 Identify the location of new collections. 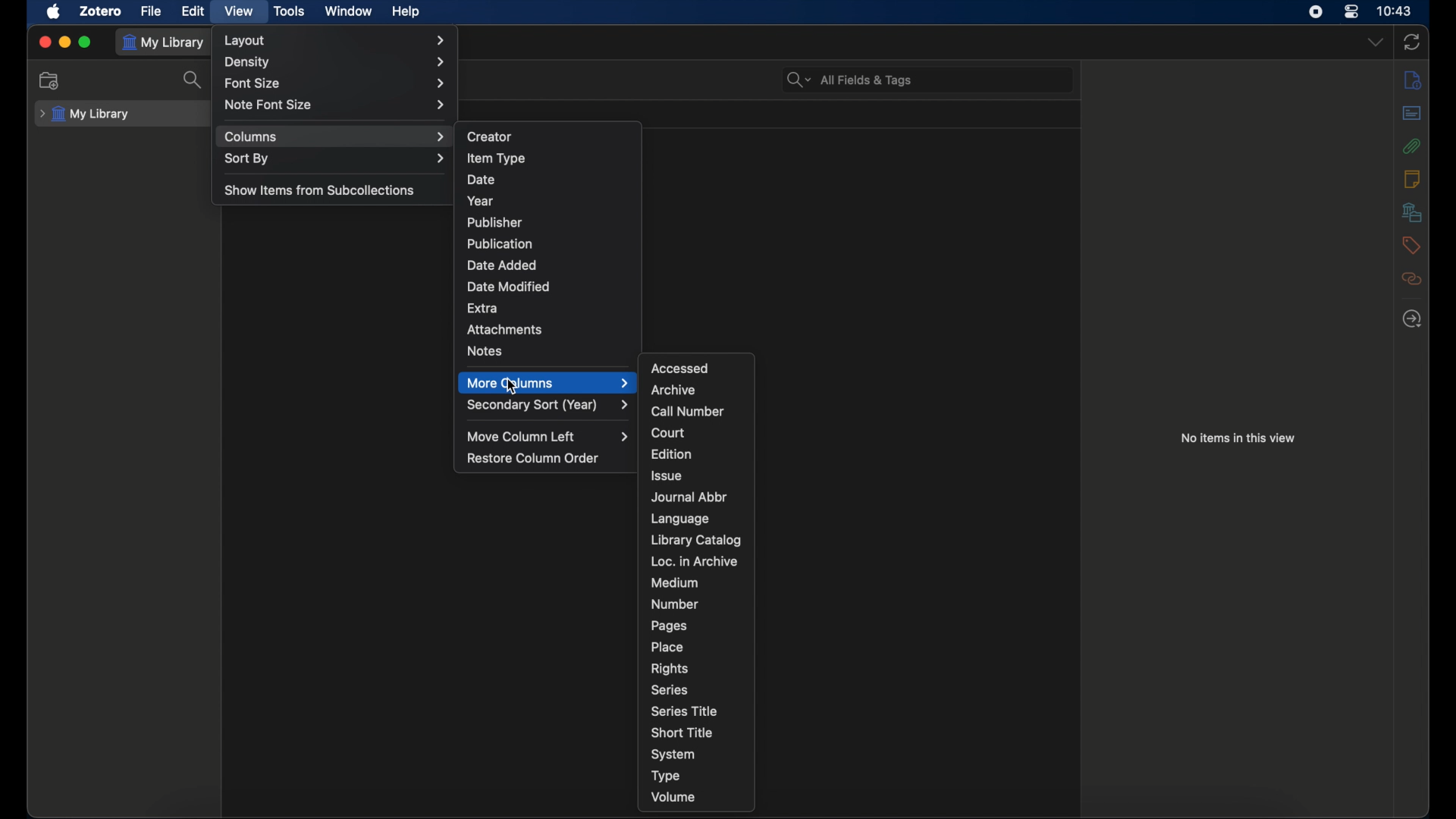
(50, 80).